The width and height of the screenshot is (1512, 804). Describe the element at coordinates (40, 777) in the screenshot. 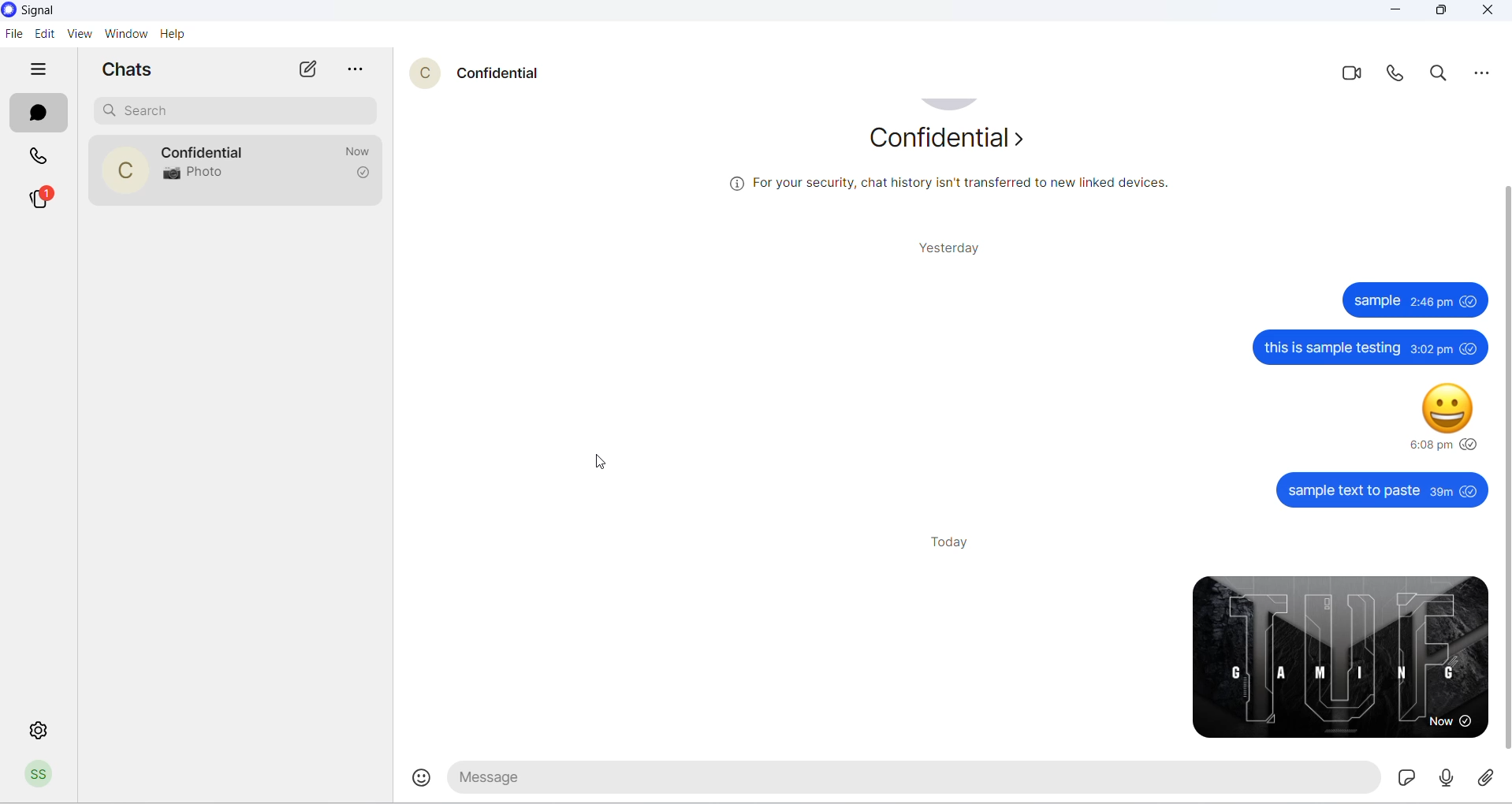

I see `profile` at that location.